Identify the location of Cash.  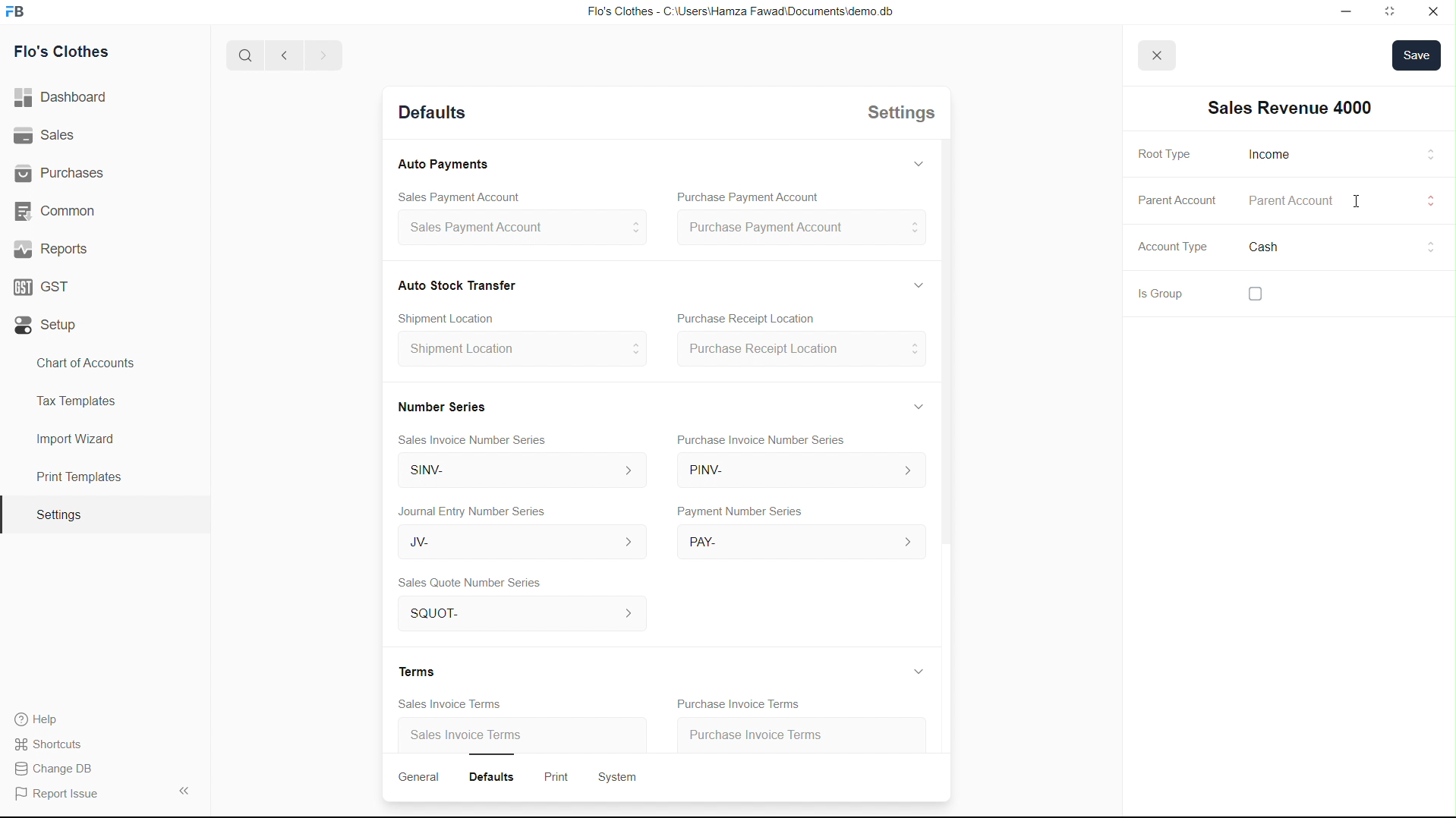
(458, 284).